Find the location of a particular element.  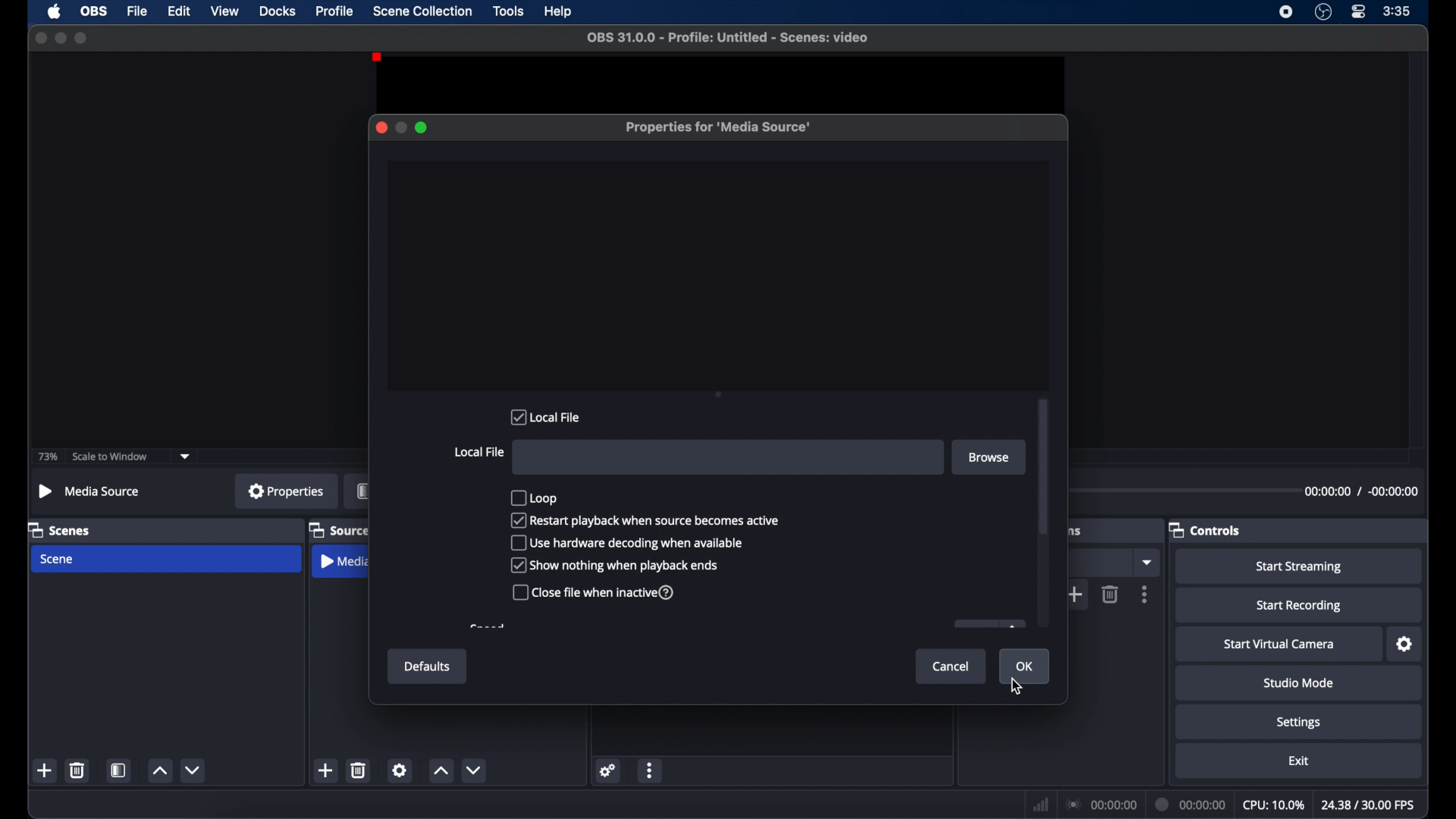

profile is located at coordinates (336, 11).